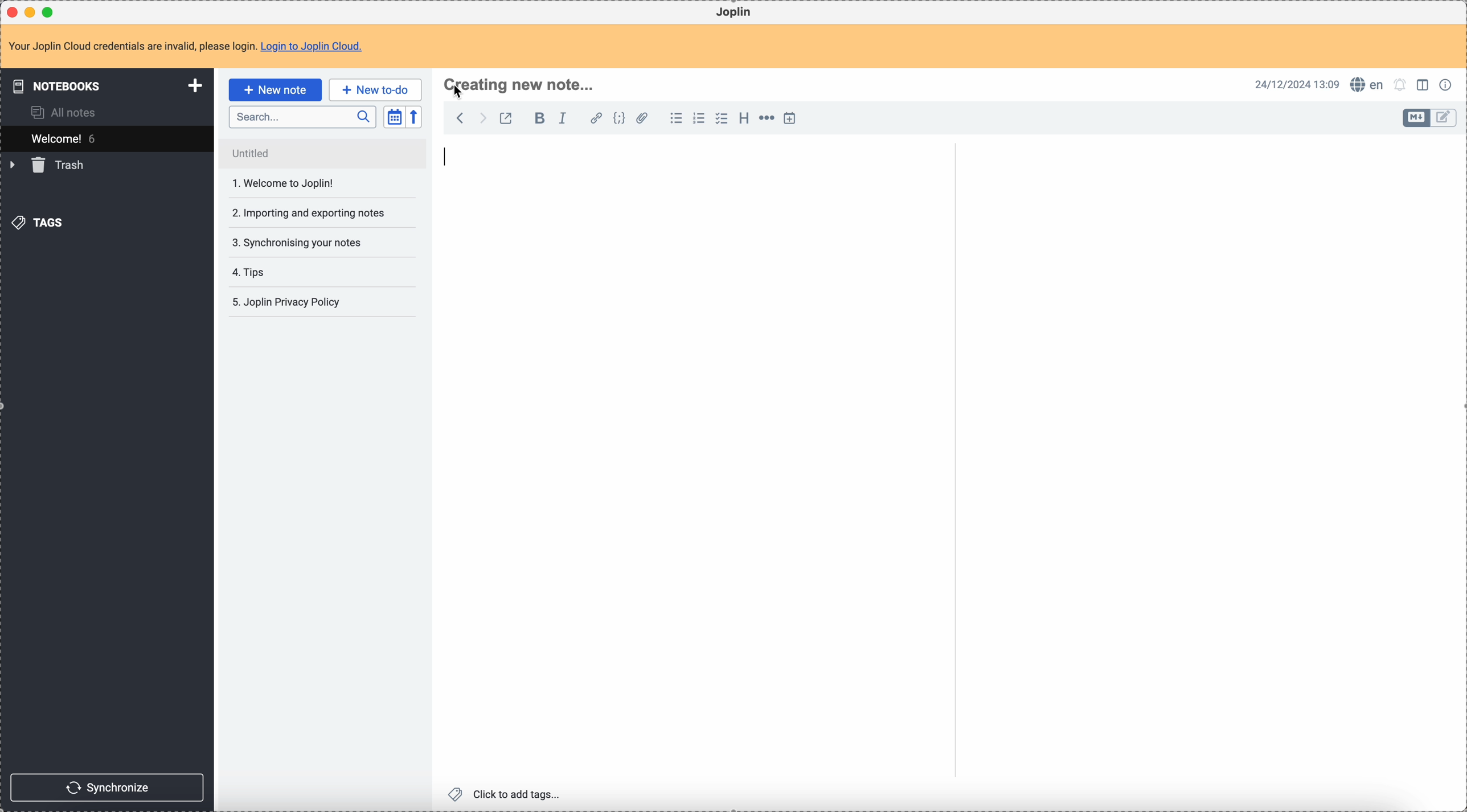 The height and width of the screenshot is (812, 1467). I want to click on heading, so click(744, 117).